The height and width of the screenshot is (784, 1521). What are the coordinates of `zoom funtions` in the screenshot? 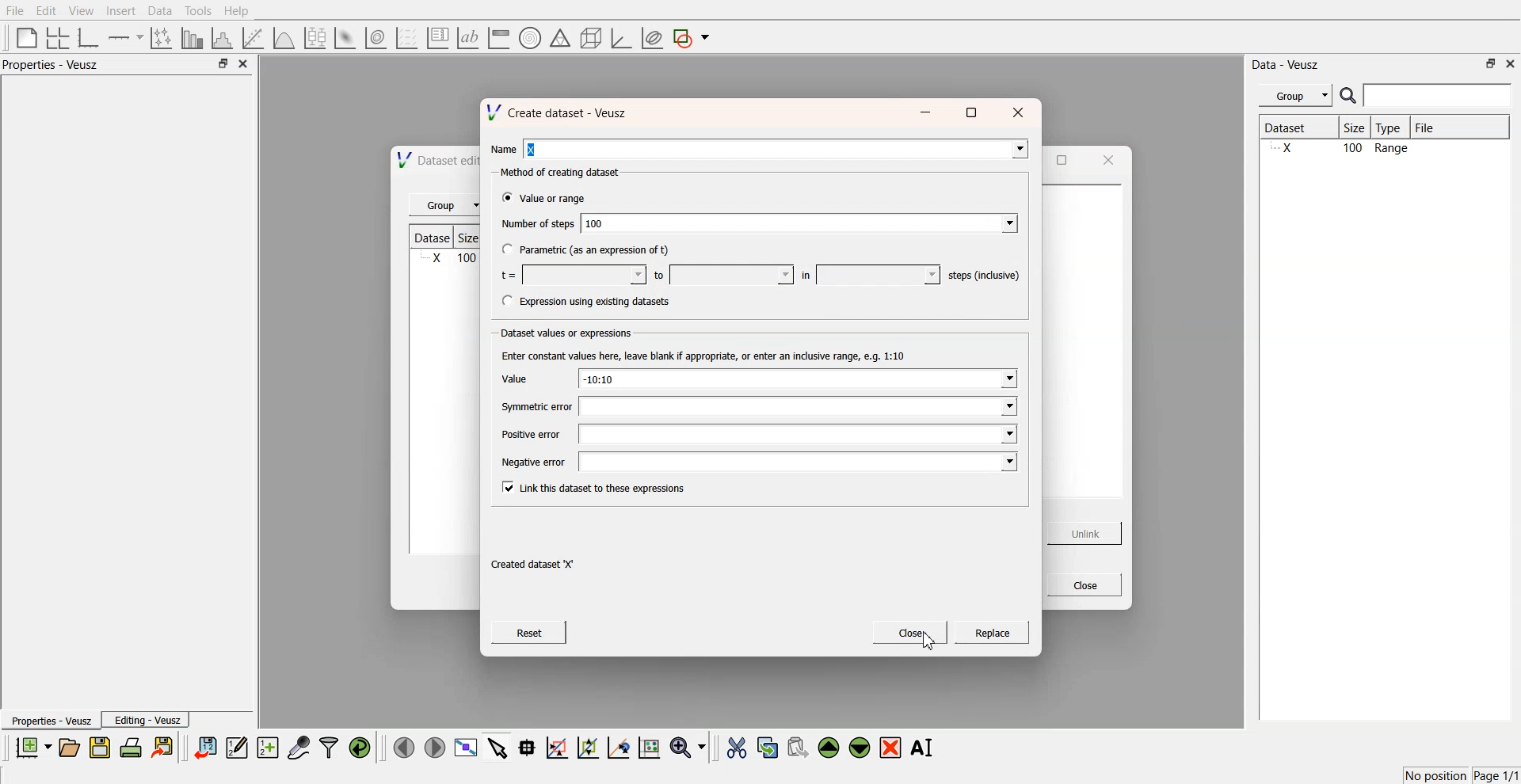 It's located at (688, 748).